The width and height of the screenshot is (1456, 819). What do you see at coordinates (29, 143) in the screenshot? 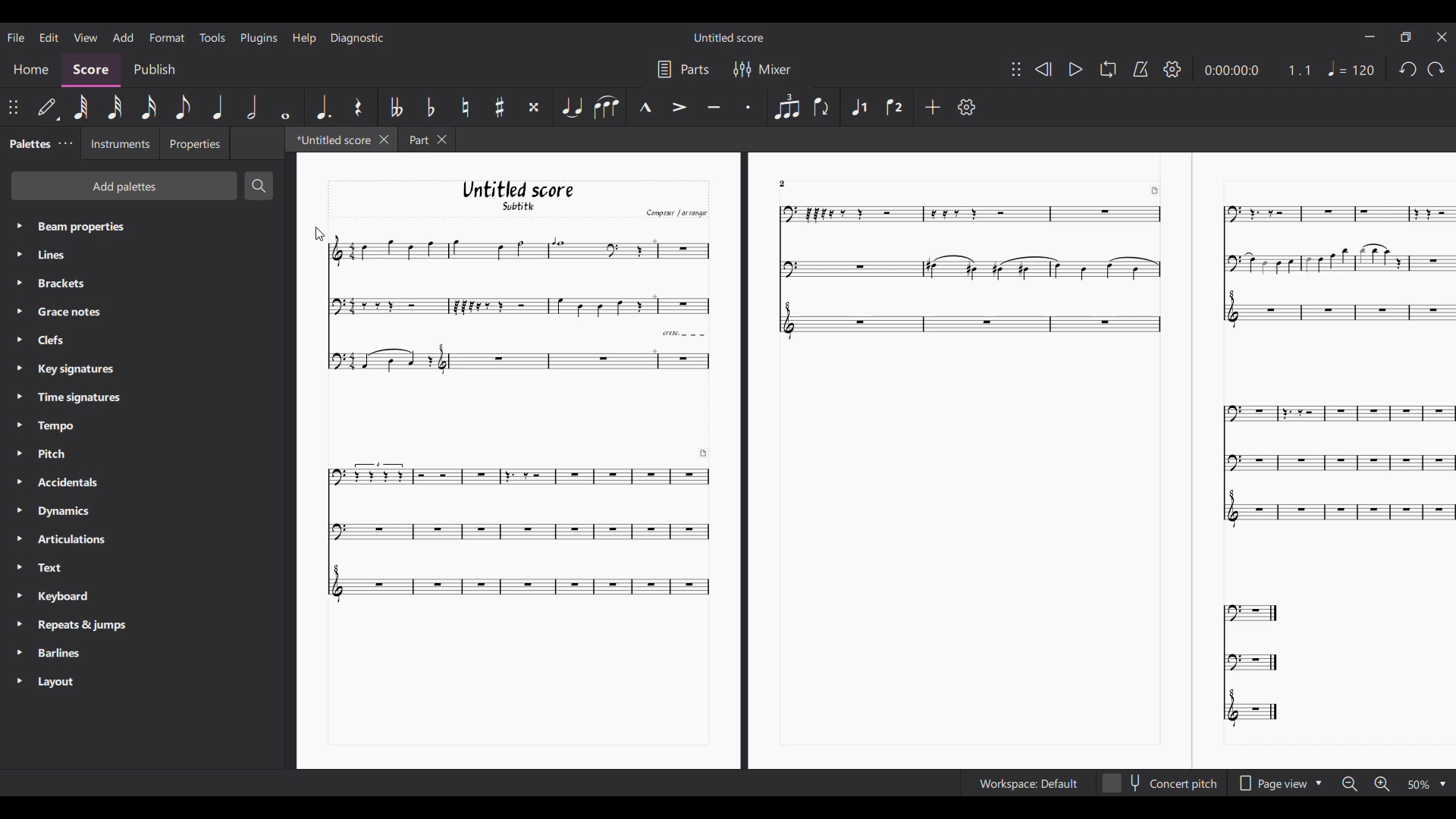
I see `Palette tab` at bounding box center [29, 143].